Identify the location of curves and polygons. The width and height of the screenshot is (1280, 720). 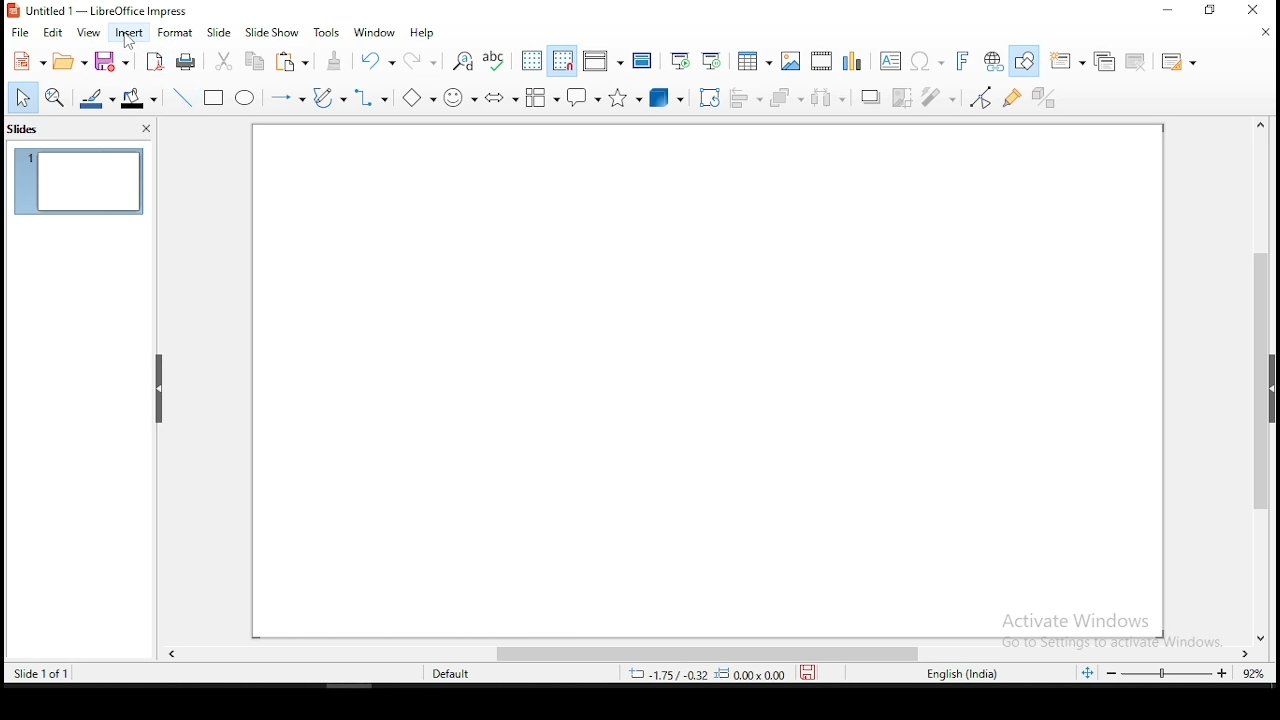
(327, 98).